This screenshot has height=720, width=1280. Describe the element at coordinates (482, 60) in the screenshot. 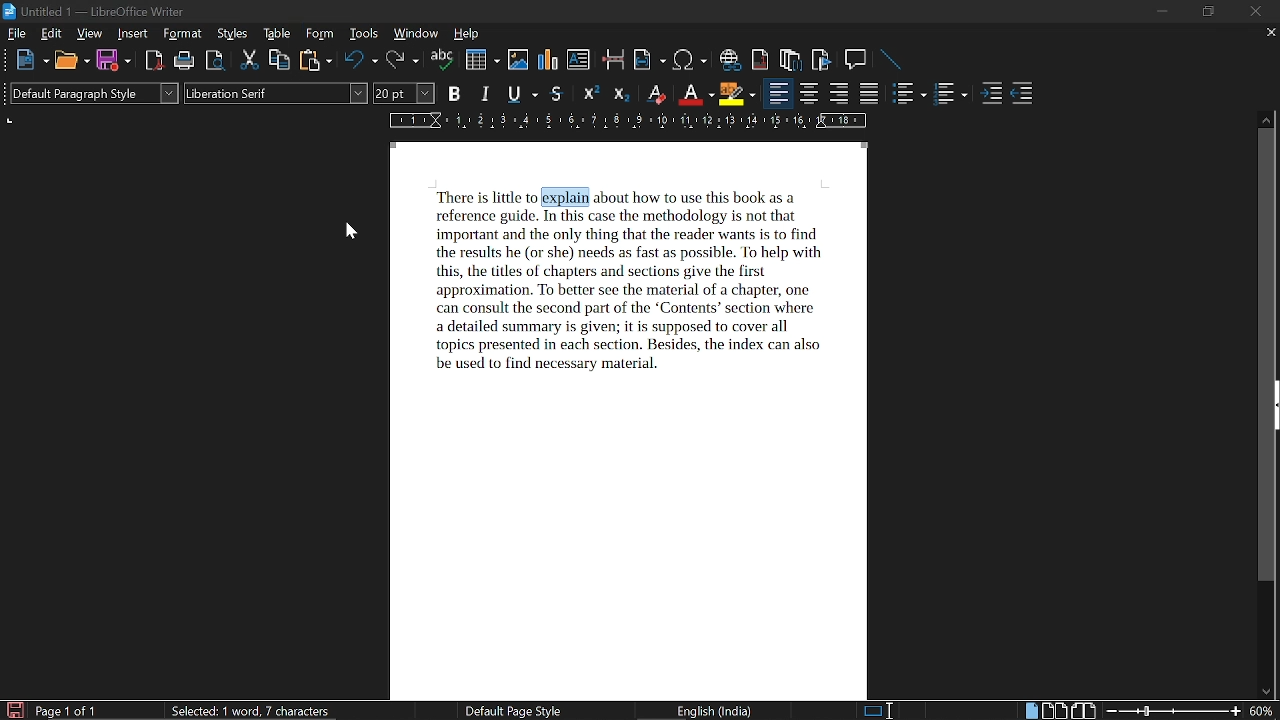

I see `insert table` at that location.